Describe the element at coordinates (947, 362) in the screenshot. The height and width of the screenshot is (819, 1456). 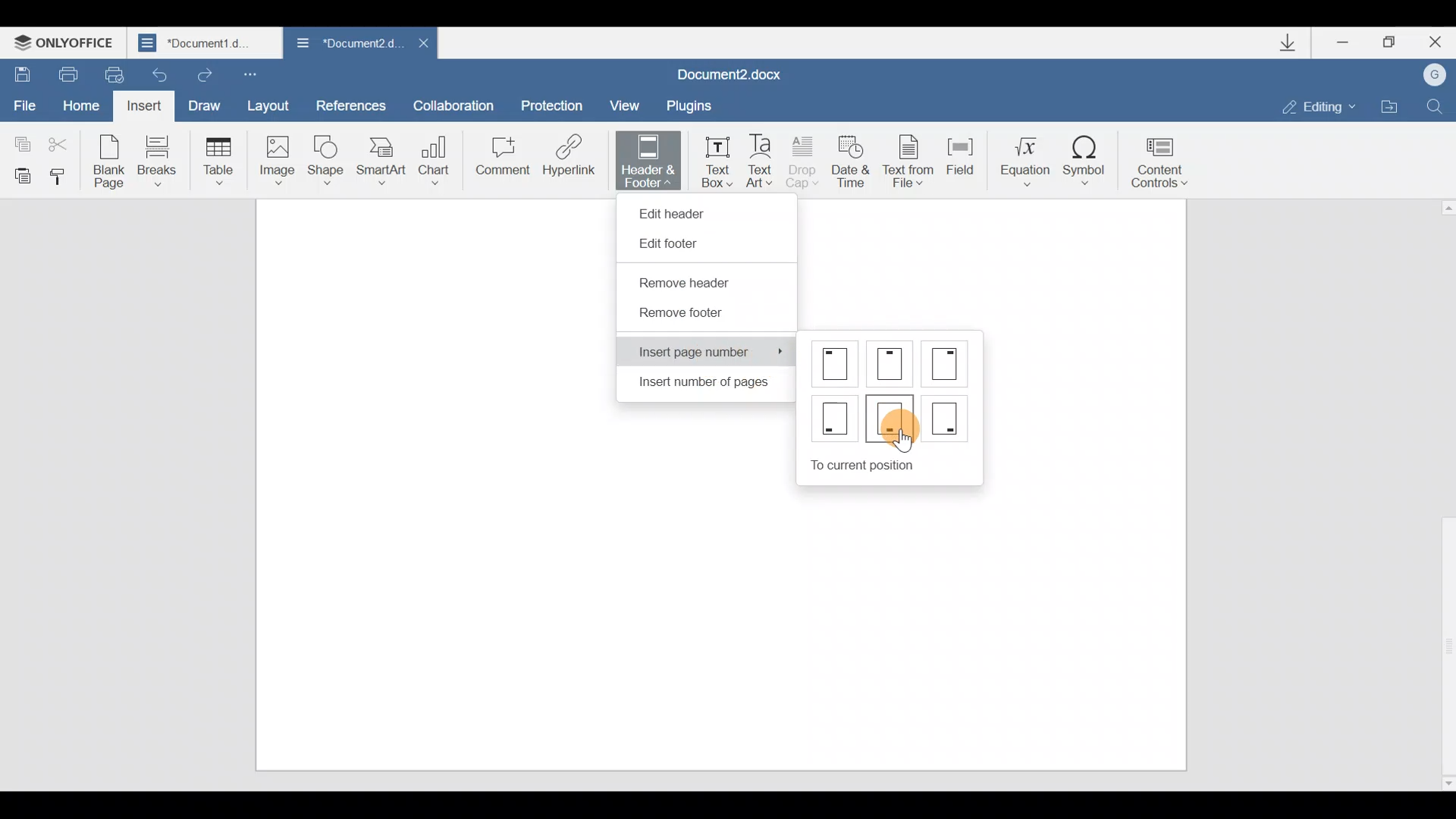
I see `Position 3` at that location.